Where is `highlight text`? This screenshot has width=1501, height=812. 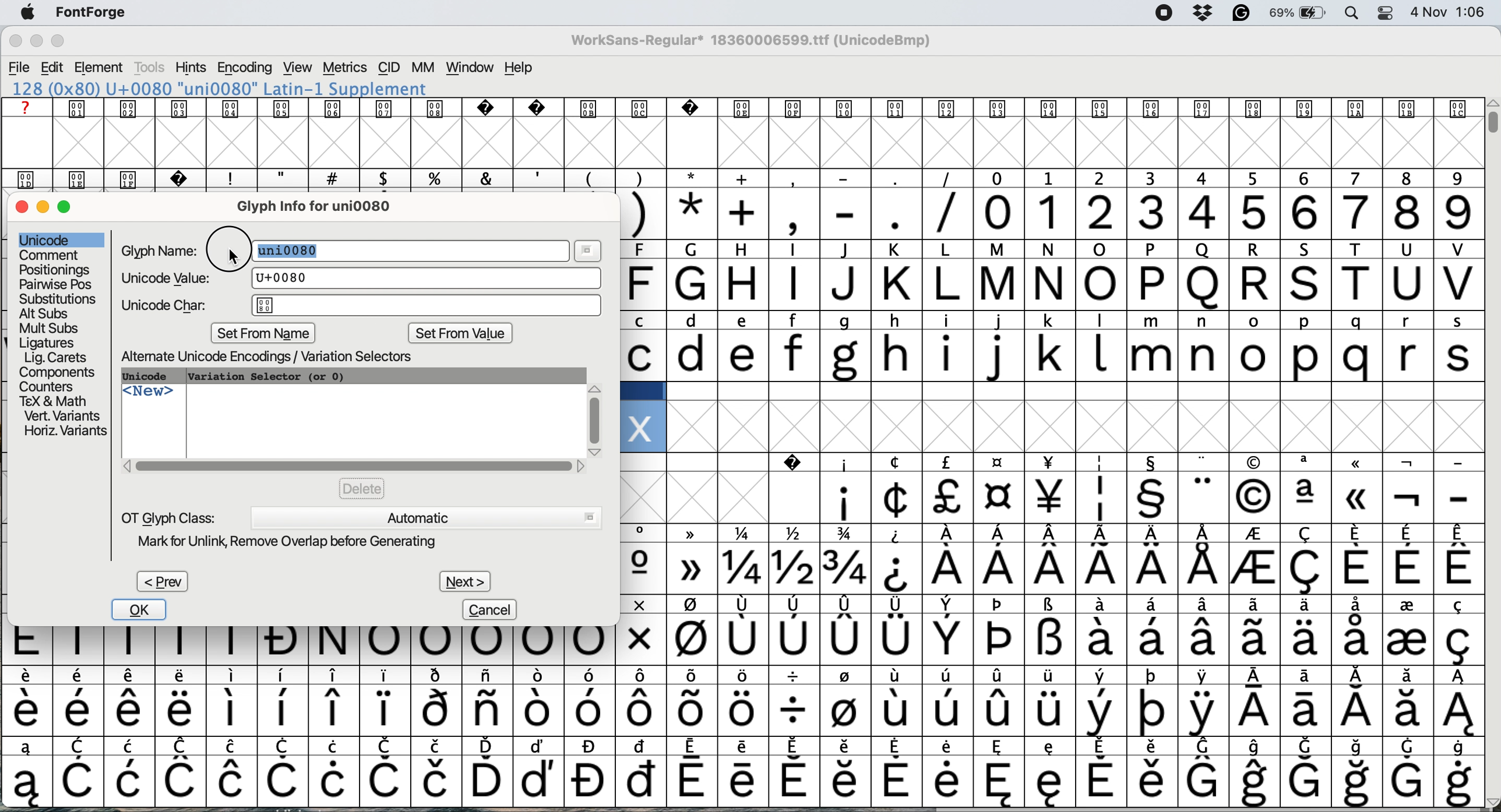
highlight text is located at coordinates (294, 251).